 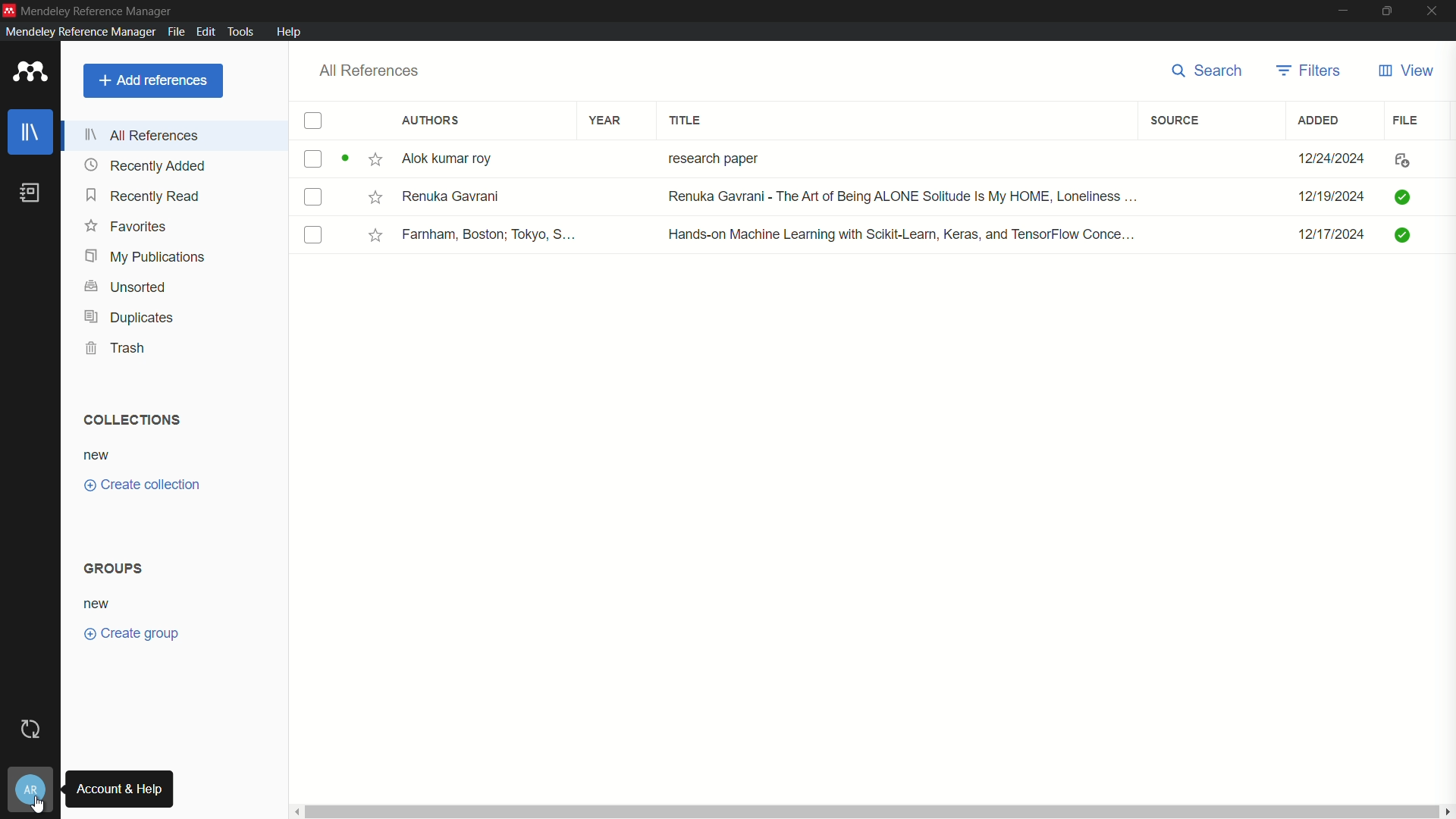 I want to click on tools menu, so click(x=244, y=32).